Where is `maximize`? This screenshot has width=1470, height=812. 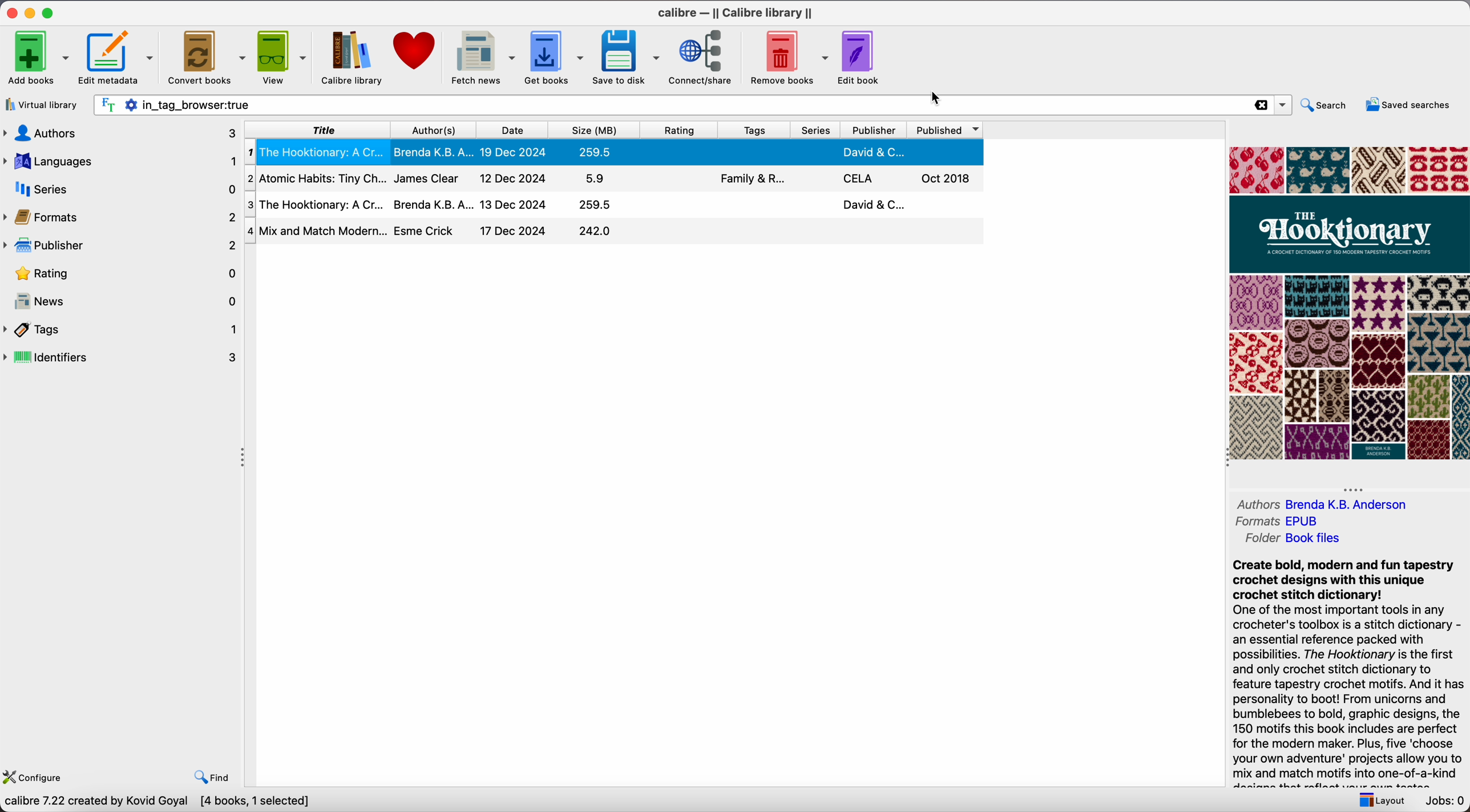
maximize is located at coordinates (50, 12).